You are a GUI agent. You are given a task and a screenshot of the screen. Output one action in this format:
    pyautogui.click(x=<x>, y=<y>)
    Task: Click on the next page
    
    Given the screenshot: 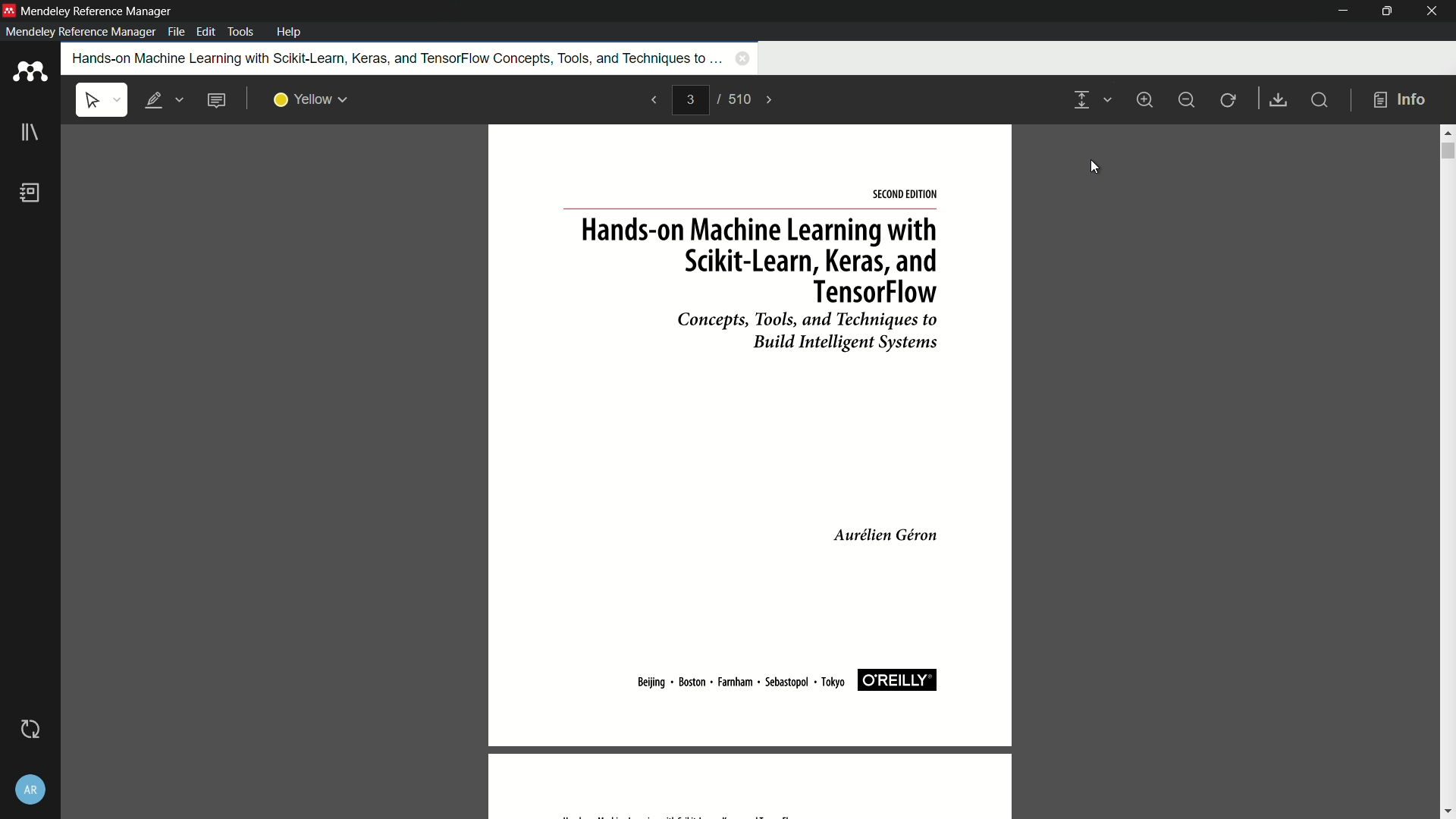 What is the action you would take?
    pyautogui.click(x=770, y=100)
    